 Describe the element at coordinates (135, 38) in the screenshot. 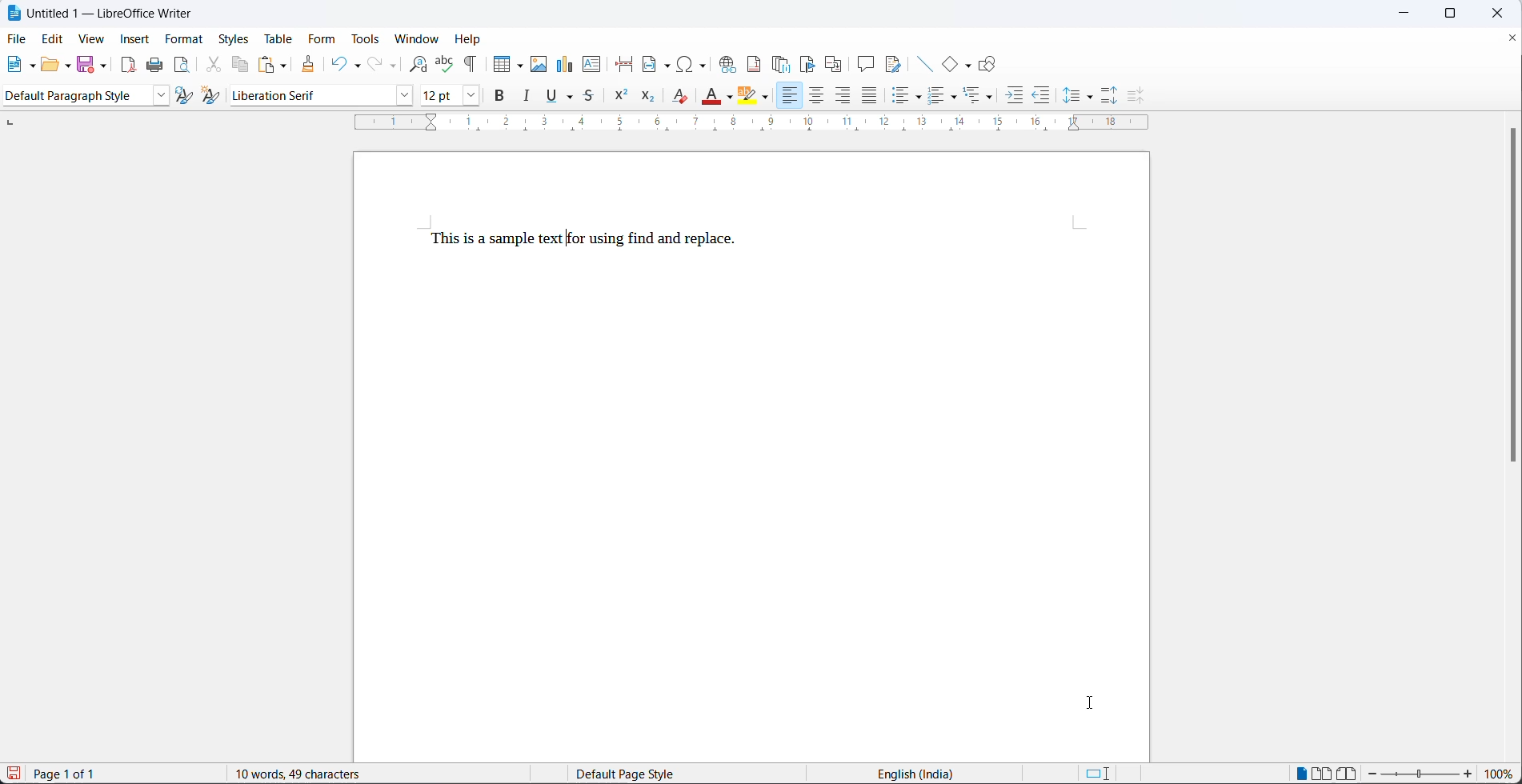

I see `insert` at that location.